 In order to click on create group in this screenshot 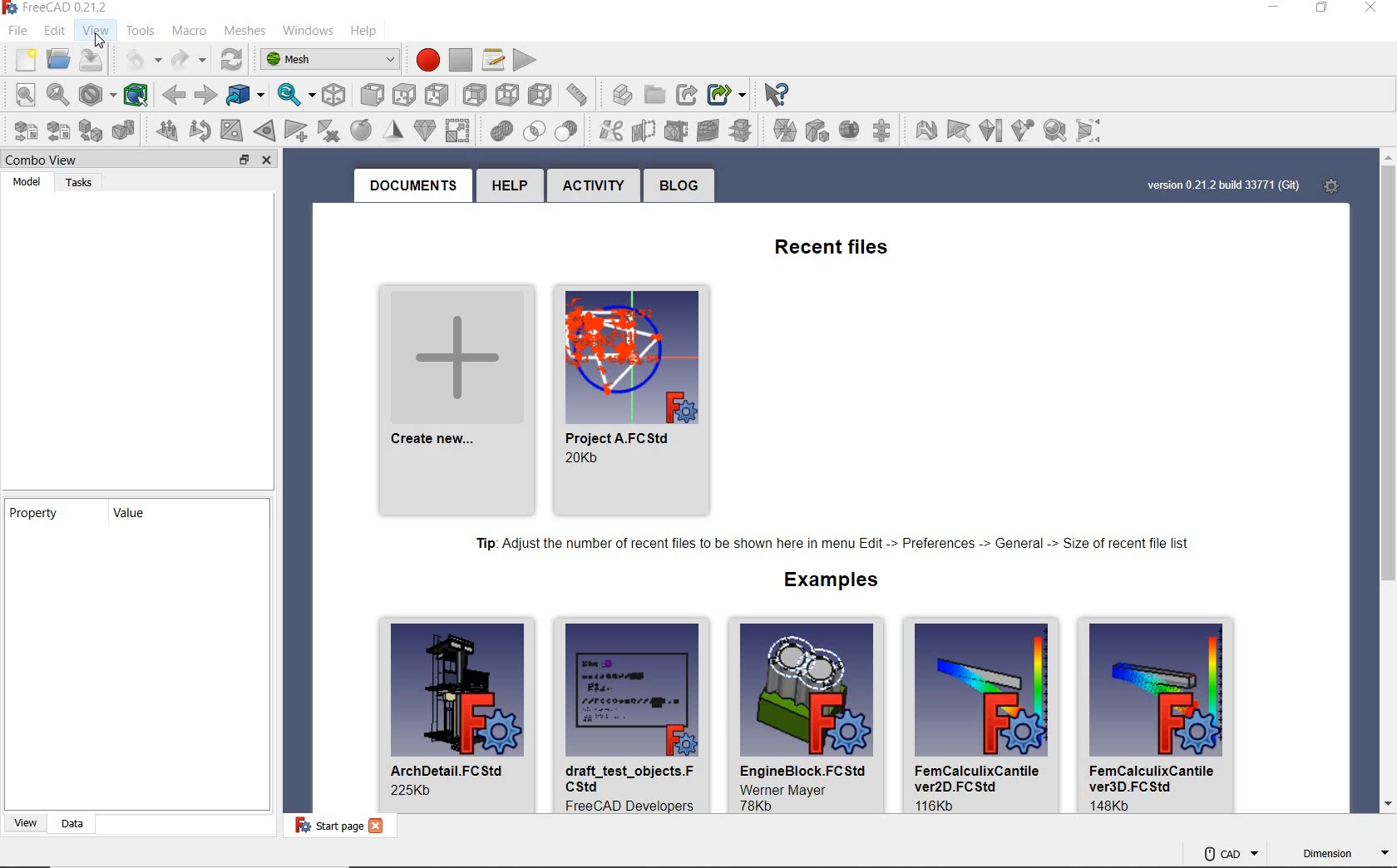, I will do `click(628, 94)`.